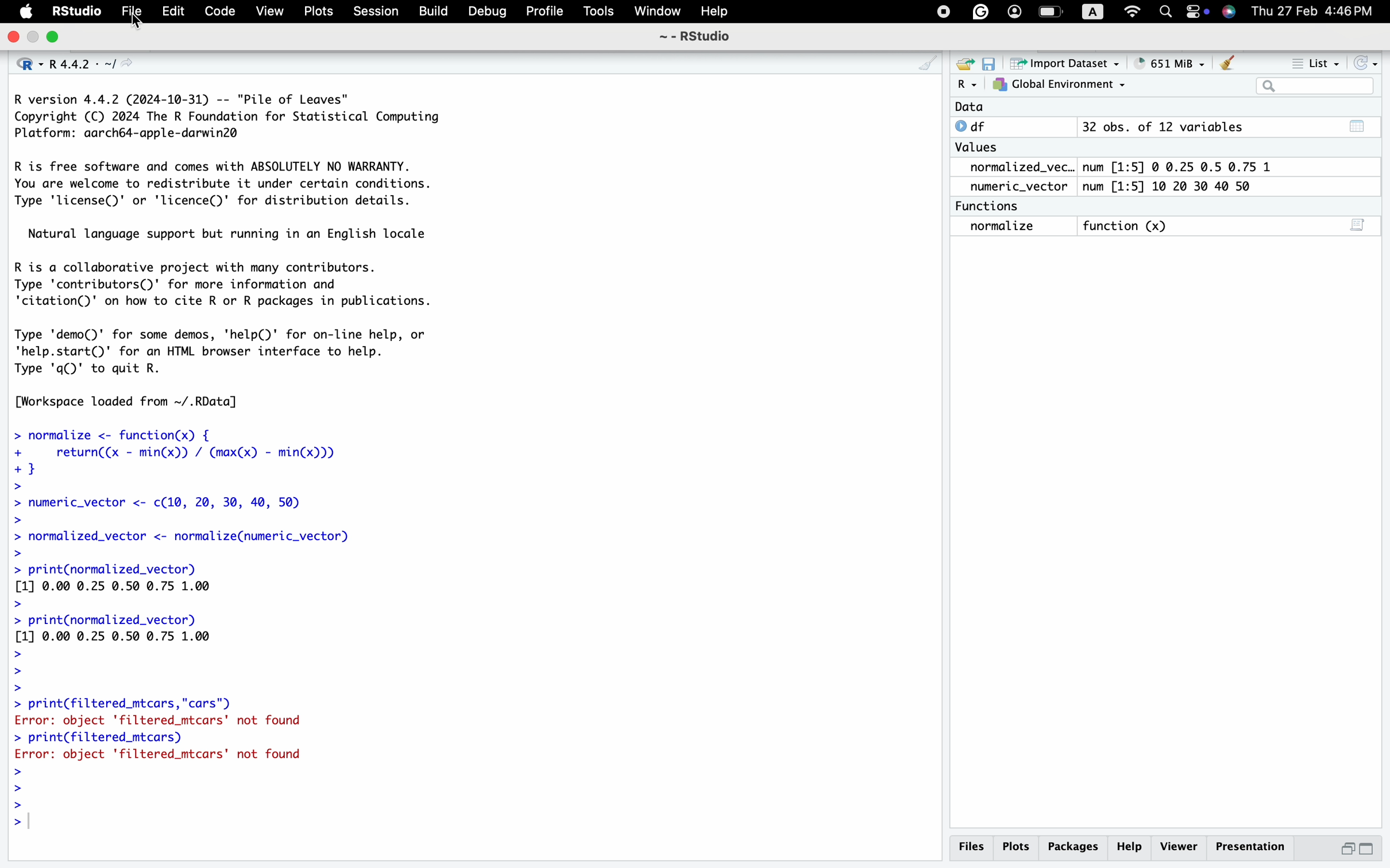 The width and height of the screenshot is (1390, 868). Describe the element at coordinates (922, 60) in the screenshot. I see `clear console` at that location.